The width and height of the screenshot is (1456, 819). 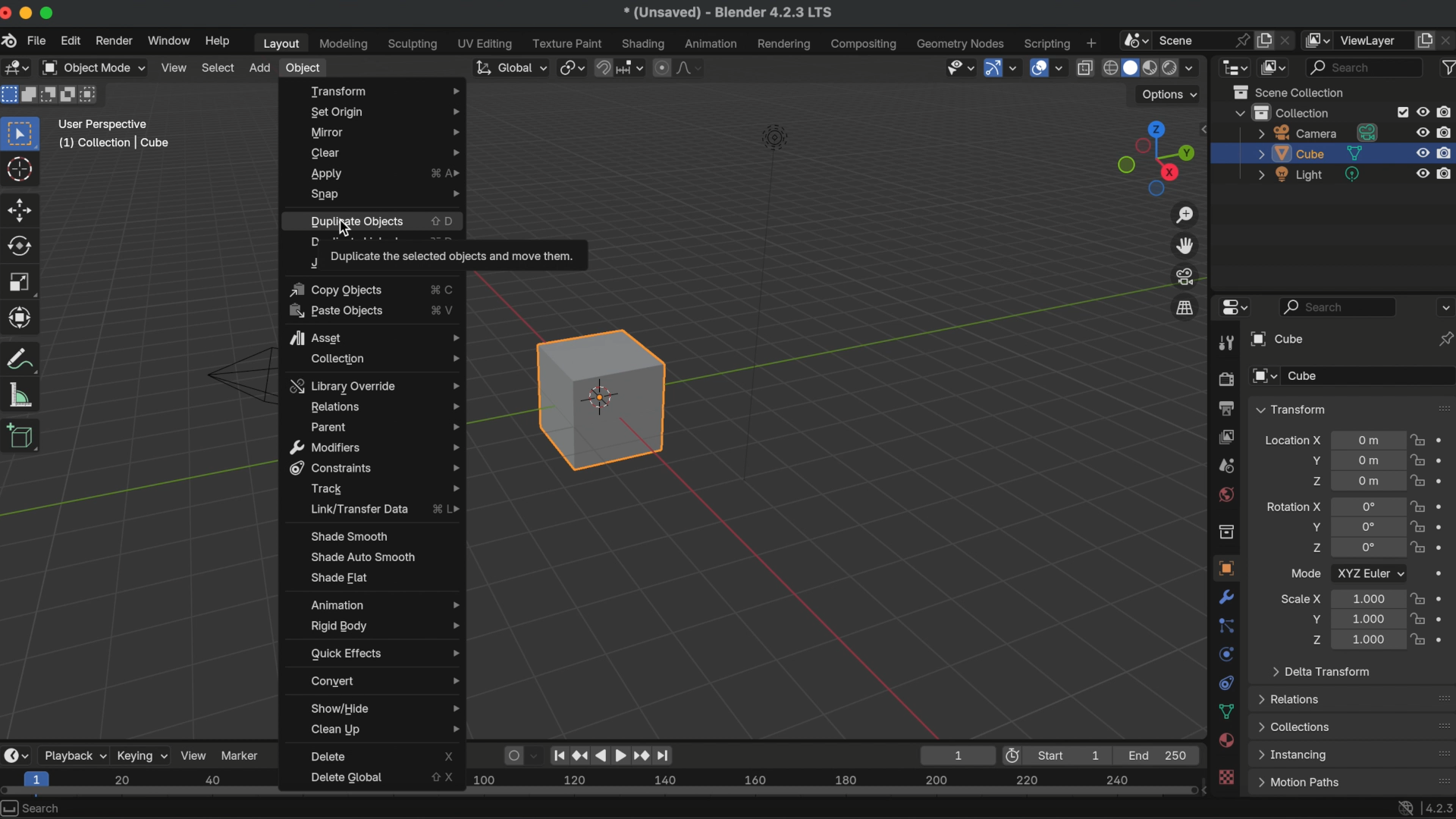 I want to click on gizmos, so click(x=1014, y=68).